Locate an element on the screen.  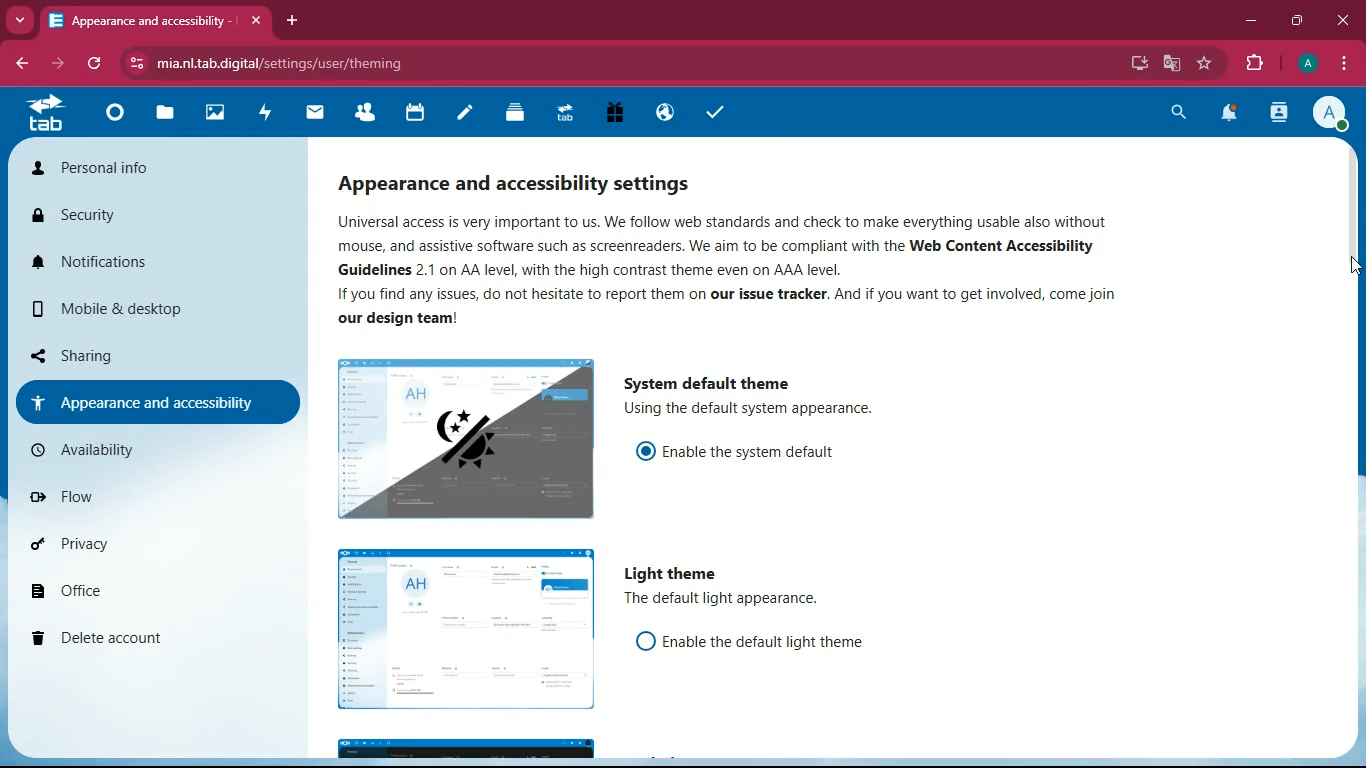
notifications is located at coordinates (1232, 114).